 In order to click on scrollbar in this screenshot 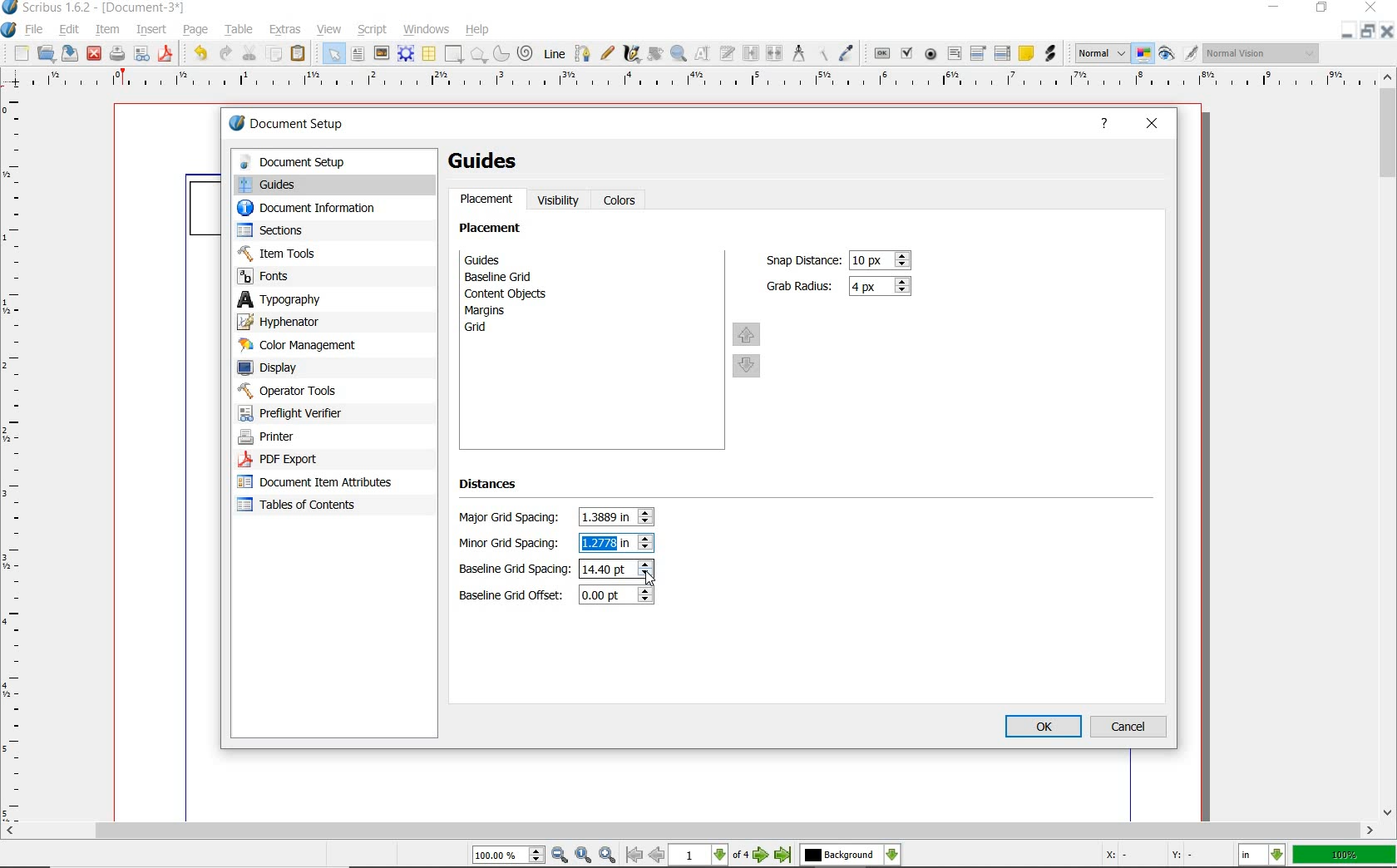, I will do `click(1389, 444)`.